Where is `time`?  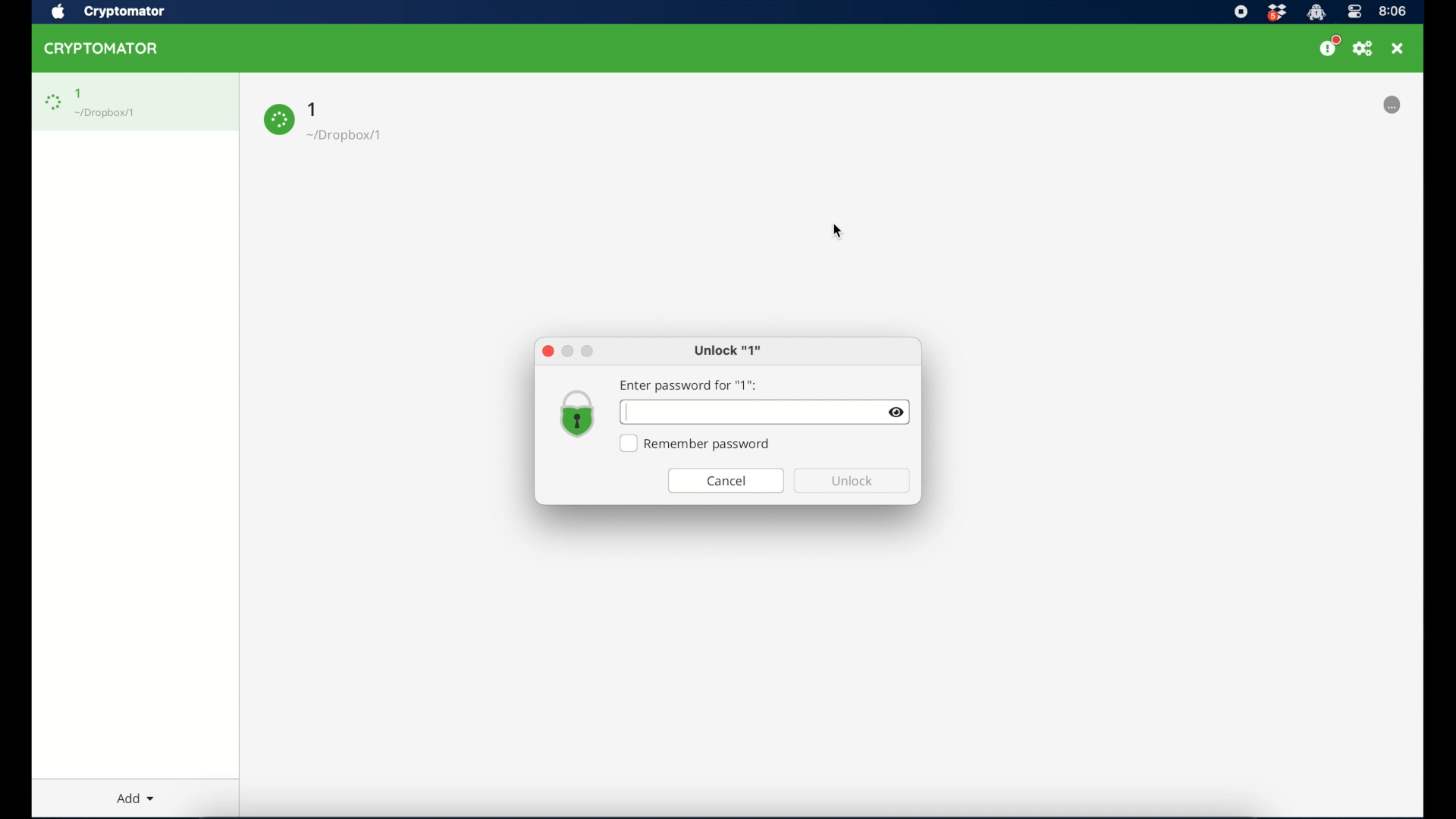
time is located at coordinates (1393, 11).